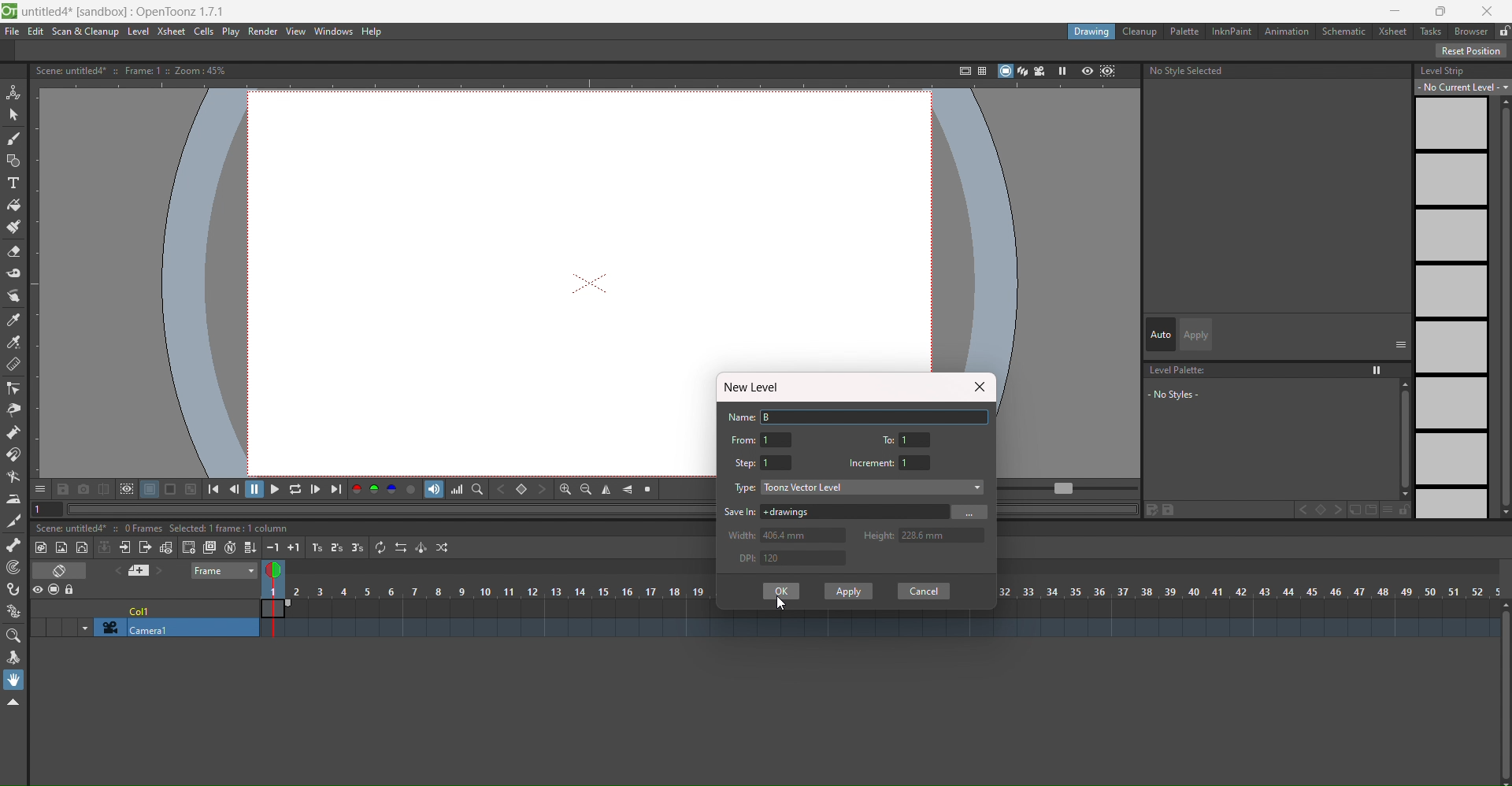 Image resolution: width=1512 pixels, height=786 pixels. Describe the element at coordinates (1430, 32) in the screenshot. I see `tasks` at that location.